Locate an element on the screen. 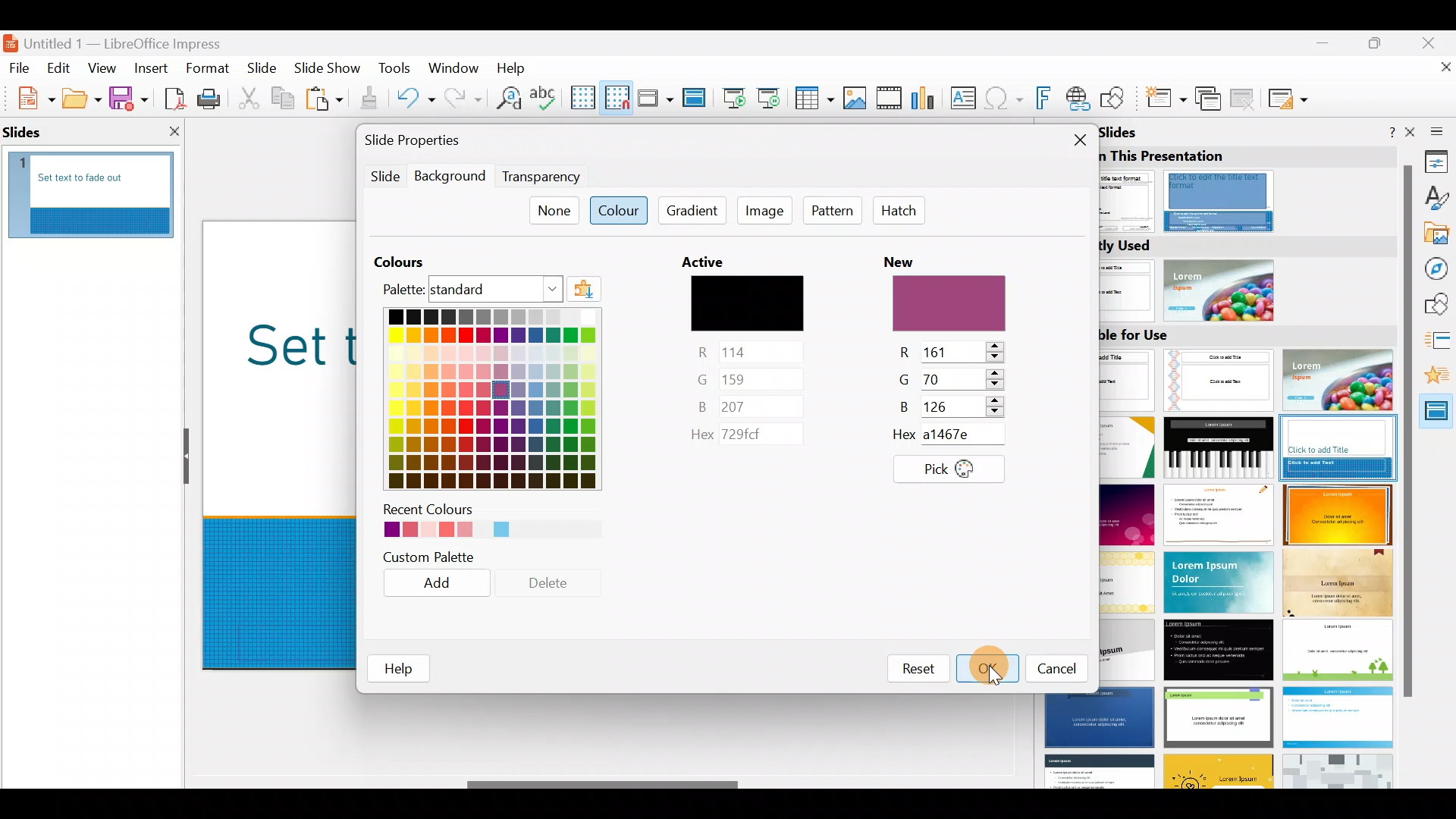  OK is located at coordinates (983, 667).